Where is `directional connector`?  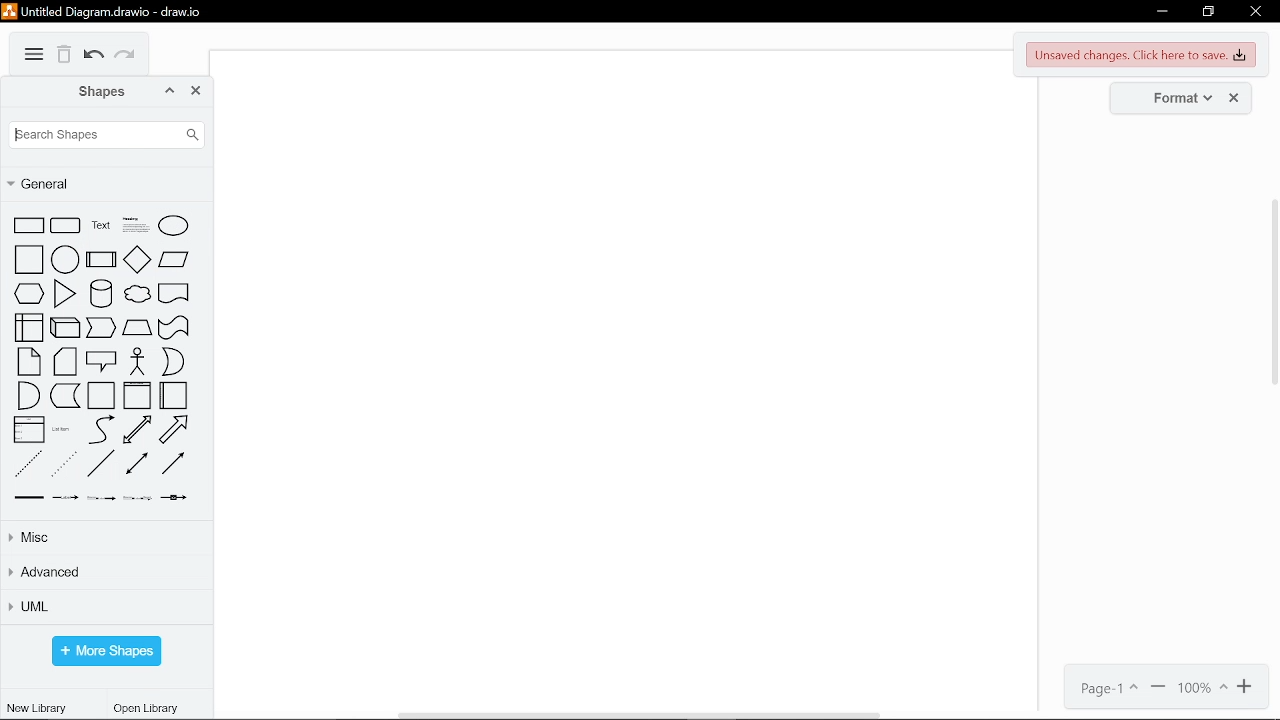 directional connector is located at coordinates (174, 465).